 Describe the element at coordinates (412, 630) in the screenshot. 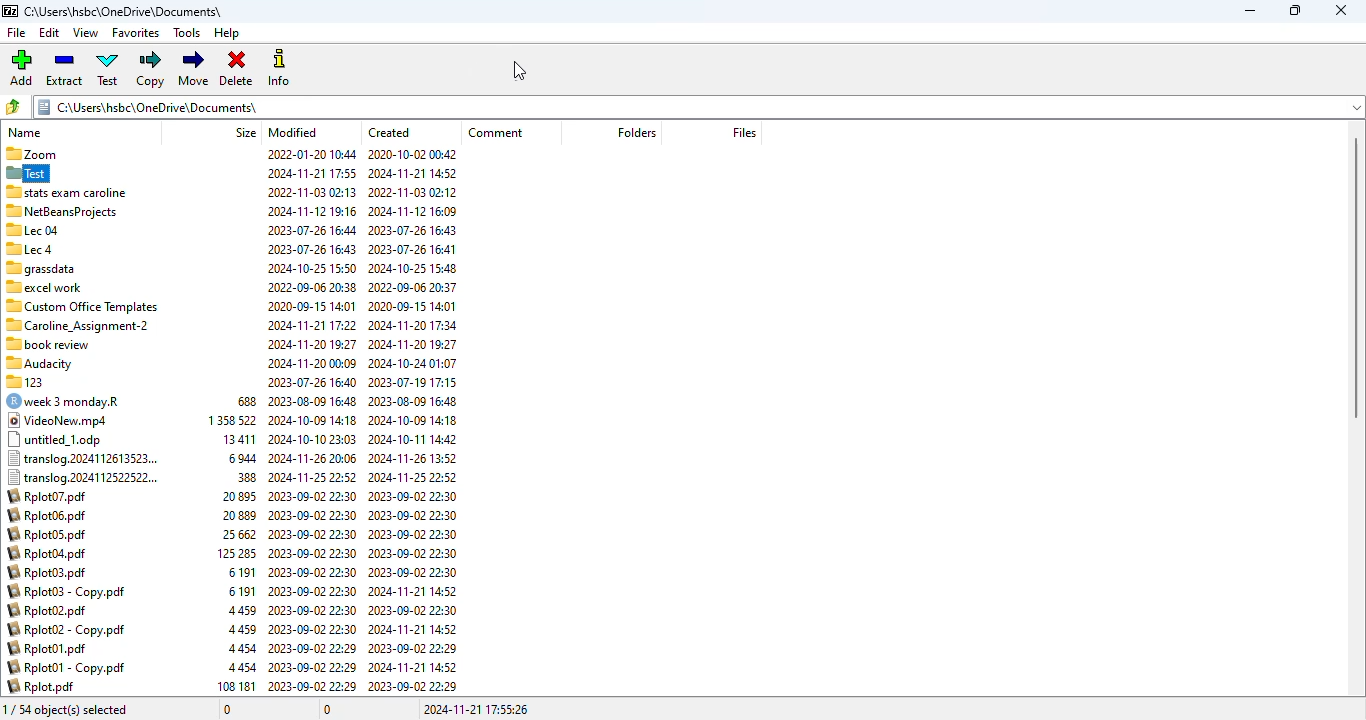

I see `2024-11-21 14:52` at that location.